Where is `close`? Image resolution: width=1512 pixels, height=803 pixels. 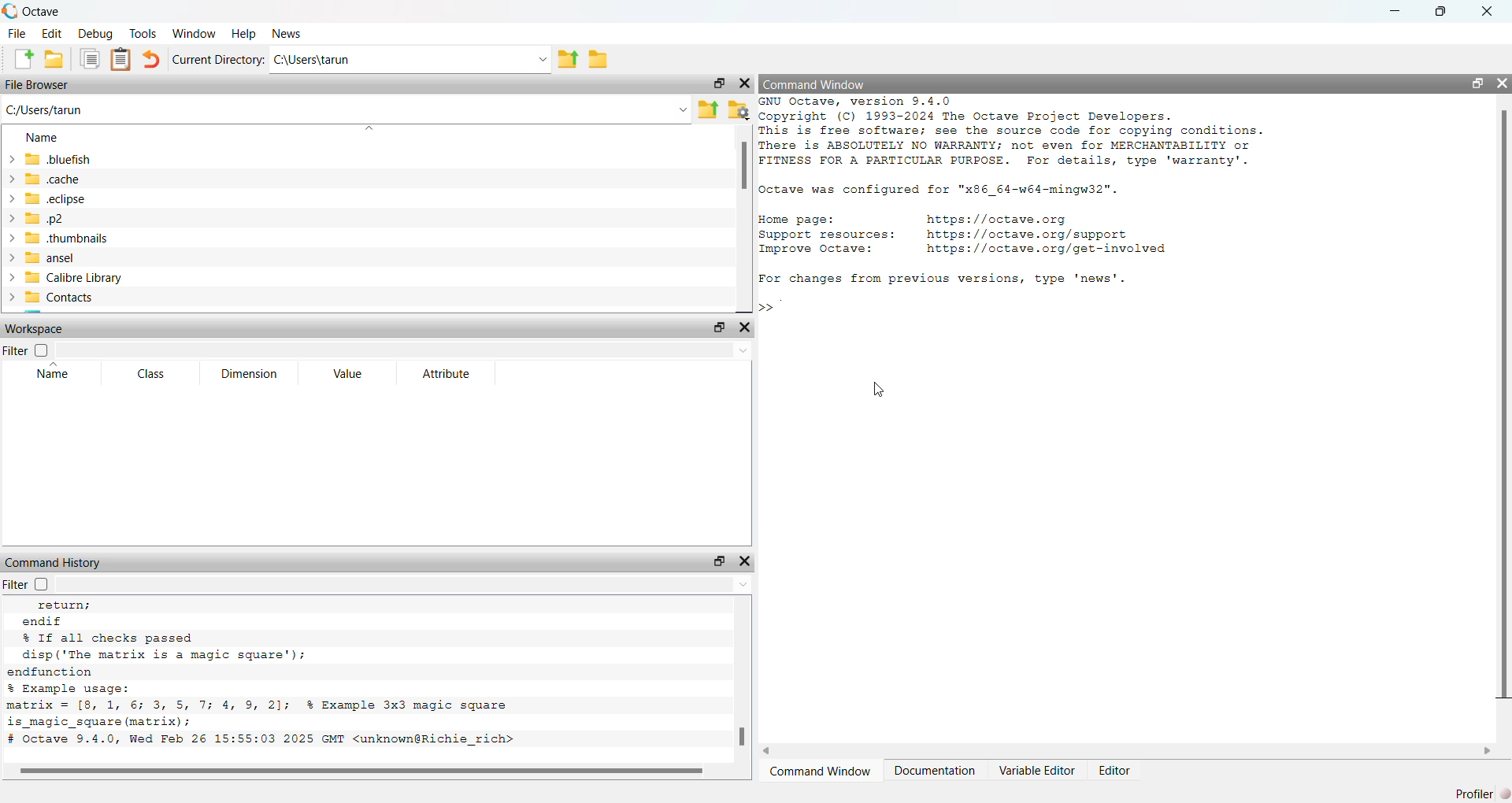
close is located at coordinates (745, 327).